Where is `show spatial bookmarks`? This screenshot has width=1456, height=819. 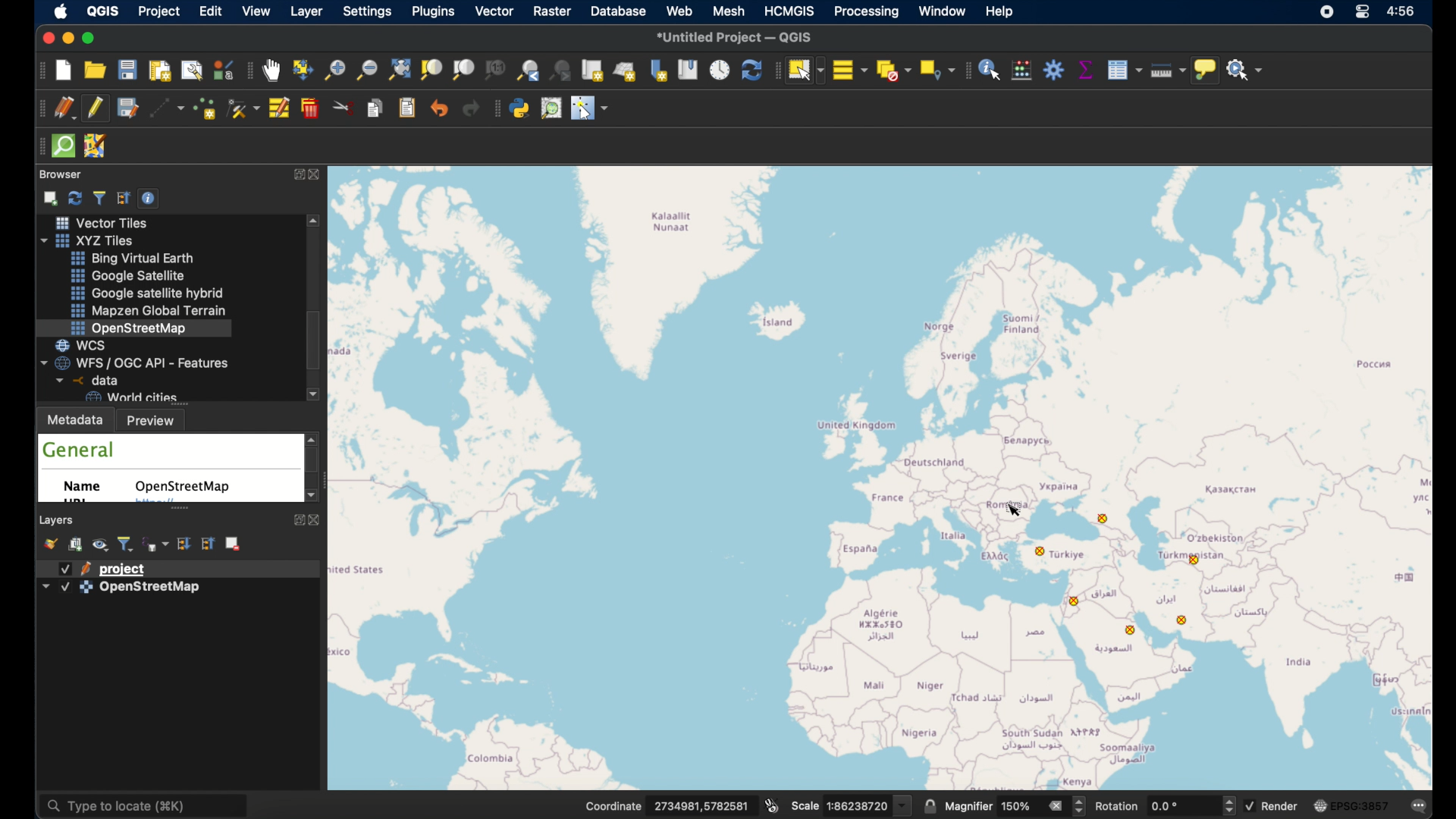
show spatial bookmarks is located at coordinates (689, 70).